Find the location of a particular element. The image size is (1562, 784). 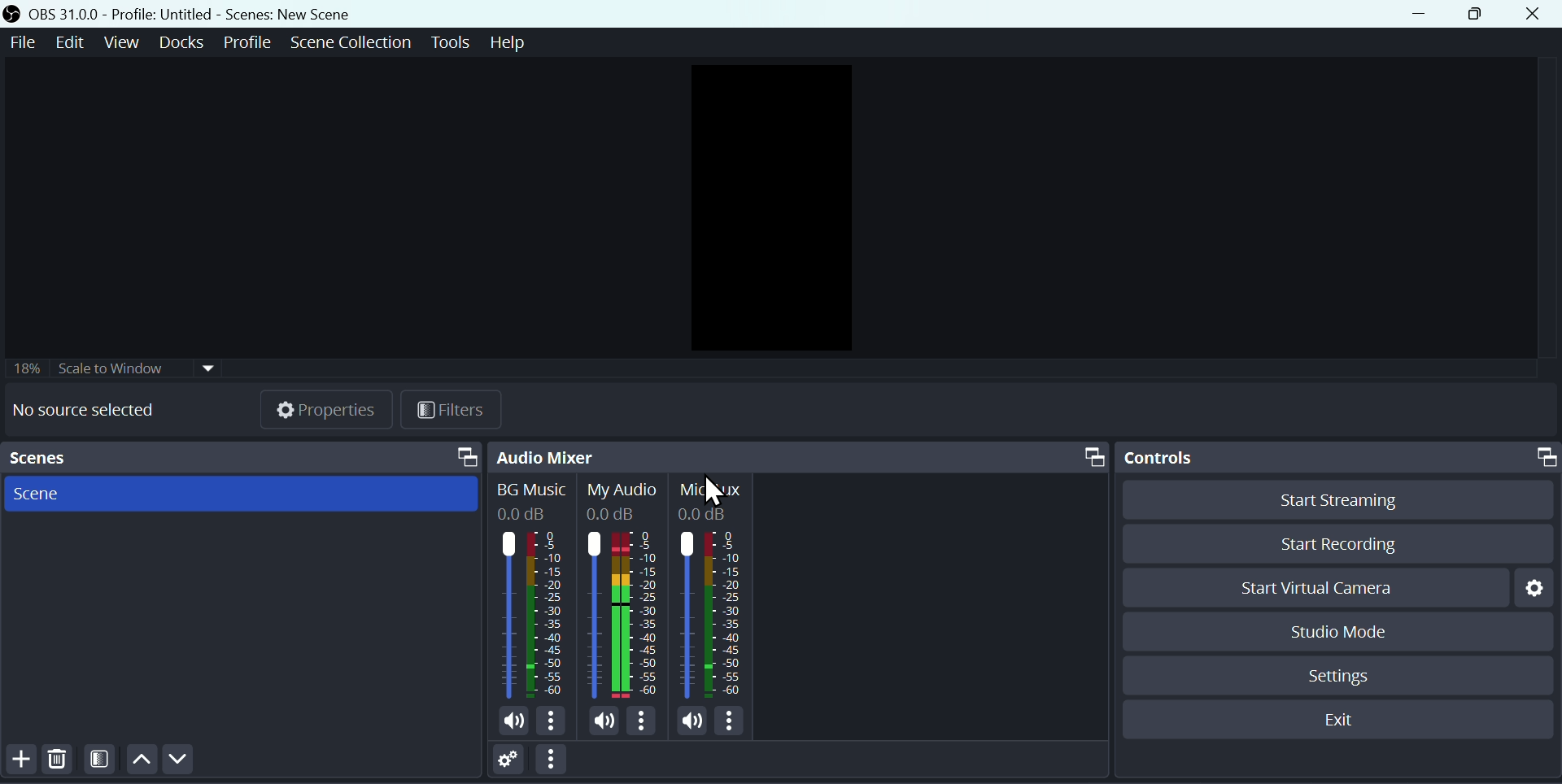

File is located at coordinates (24, 42).